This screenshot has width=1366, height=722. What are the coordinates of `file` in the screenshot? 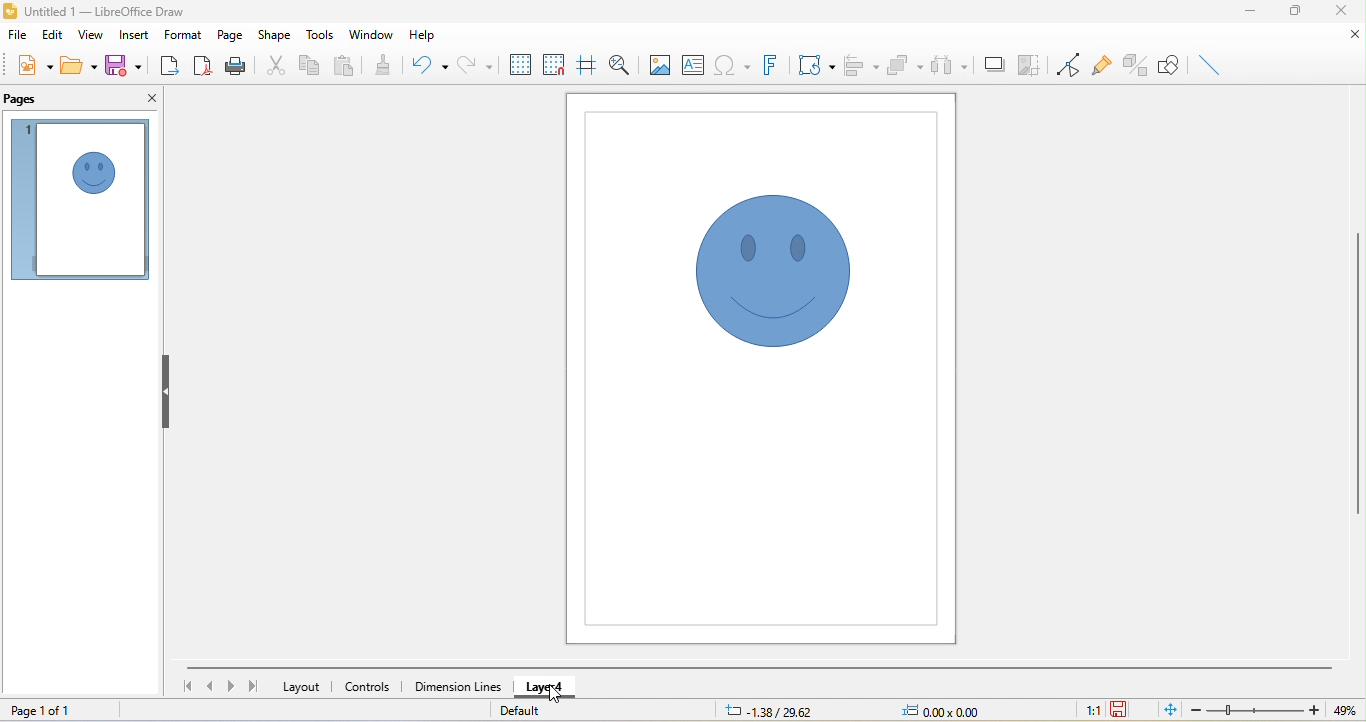 It's located at (18, 38).